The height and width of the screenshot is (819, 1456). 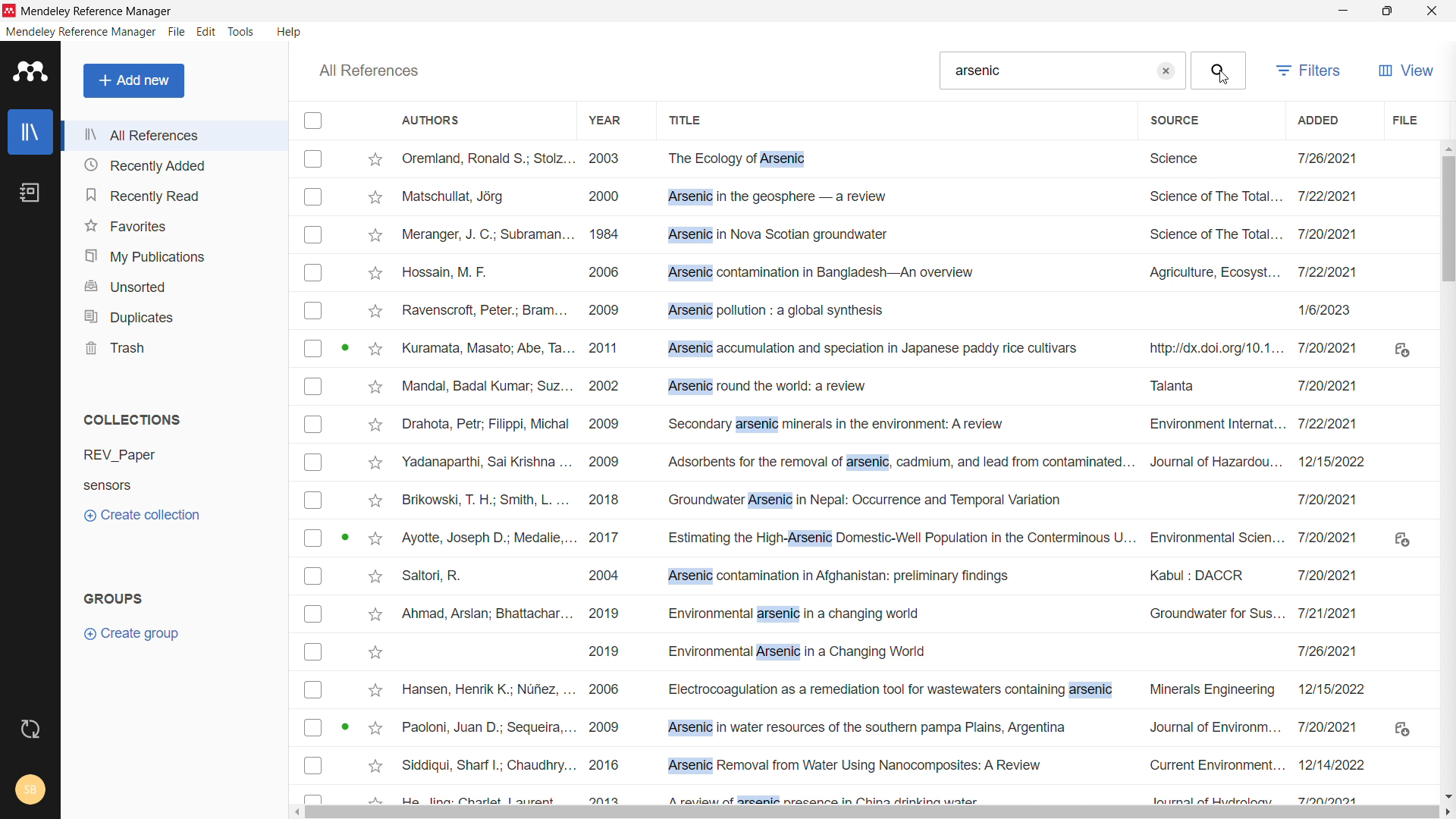 What do you see at coordinates (372, 654) in the screenshot?
I see `Add to favorites` at bounding box center [372, 654].